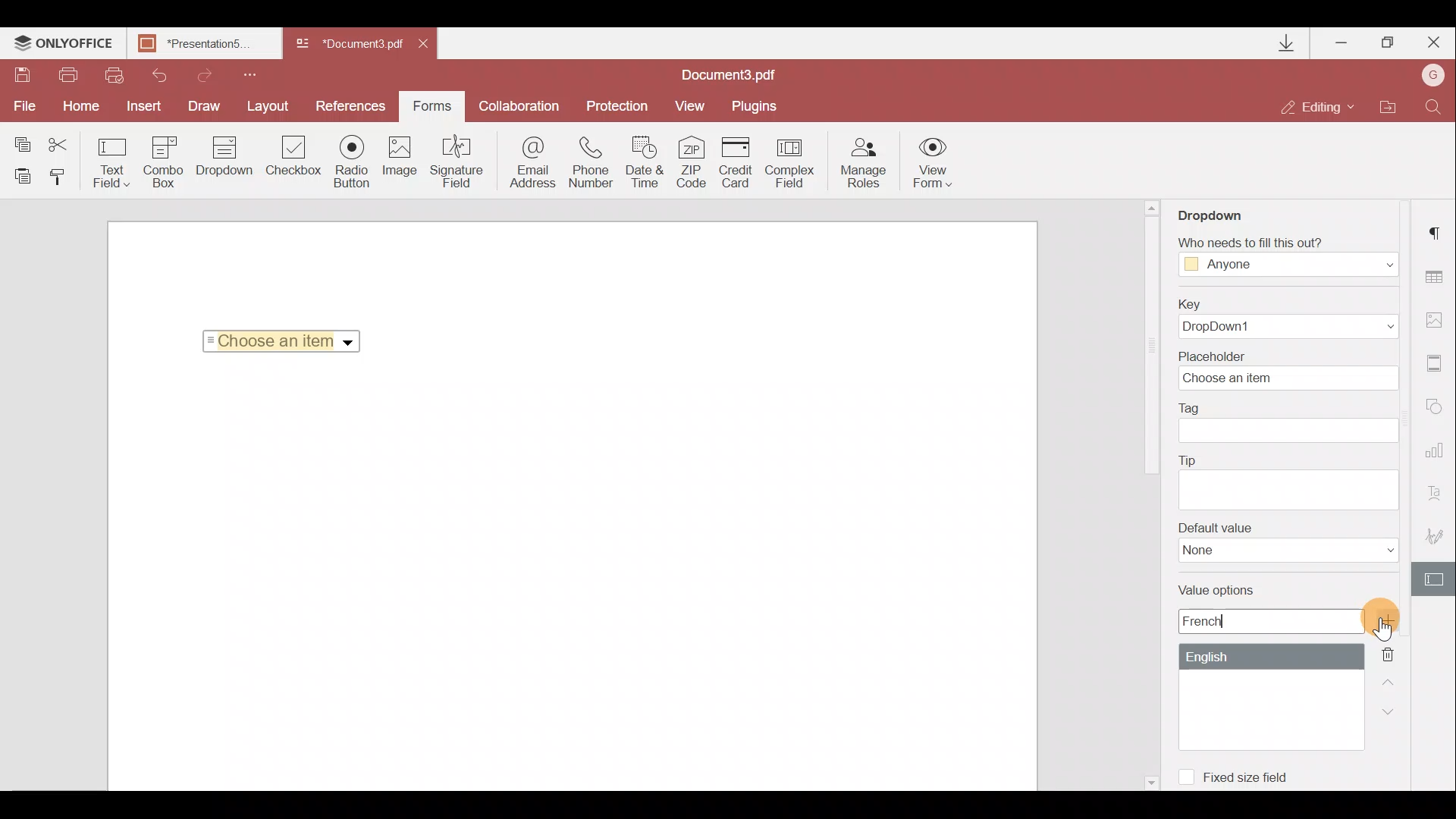  Describe the element at coordinates (1389, 642) in the screenshot. I see `Cursor` at that location.